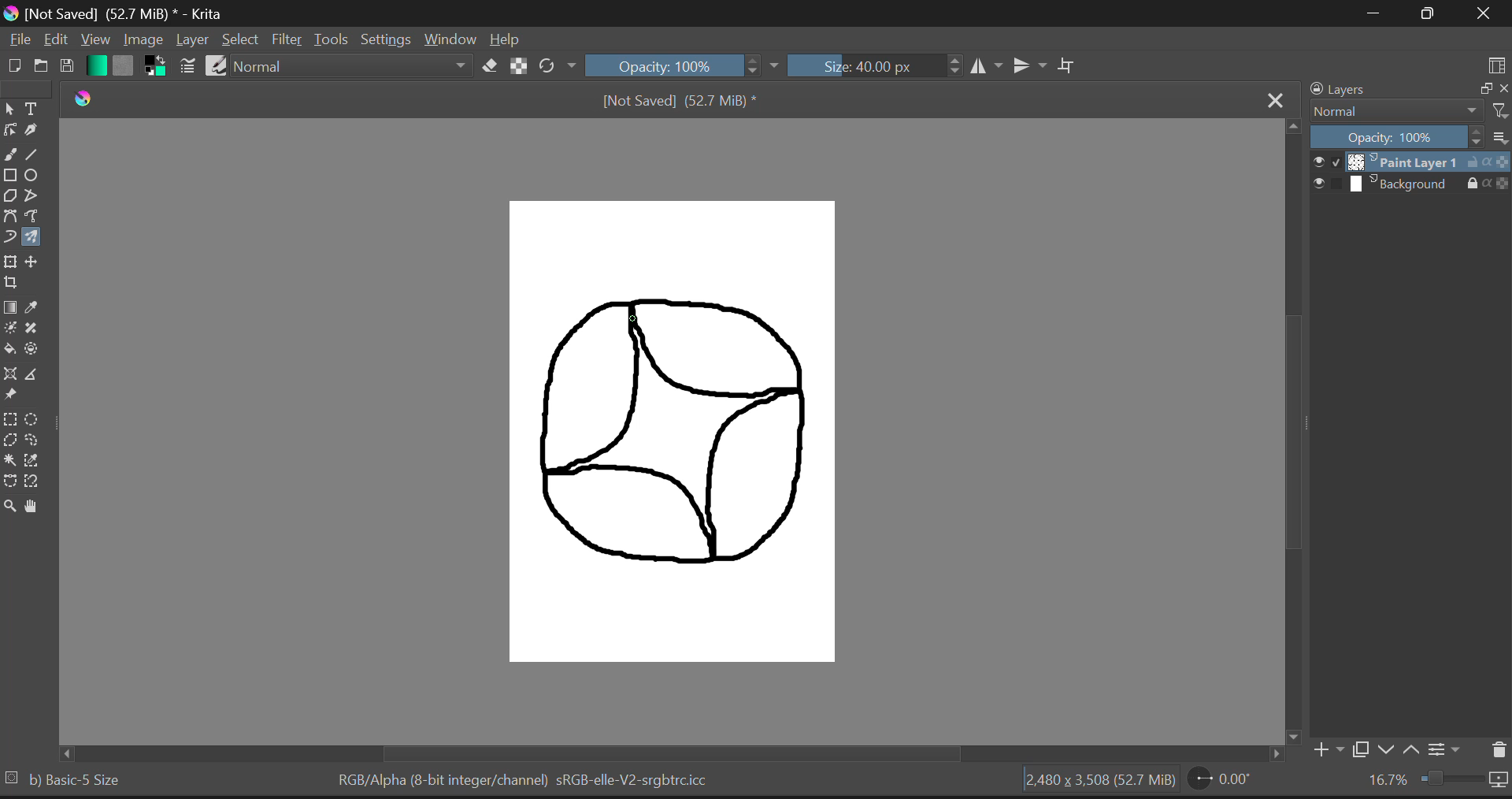 Image resolution: width=1512 pixels, height=799 pixels. Describe the element at coordinates (988, 66) in the screenshot. I see `Vertical Mirror Flip` at that location.